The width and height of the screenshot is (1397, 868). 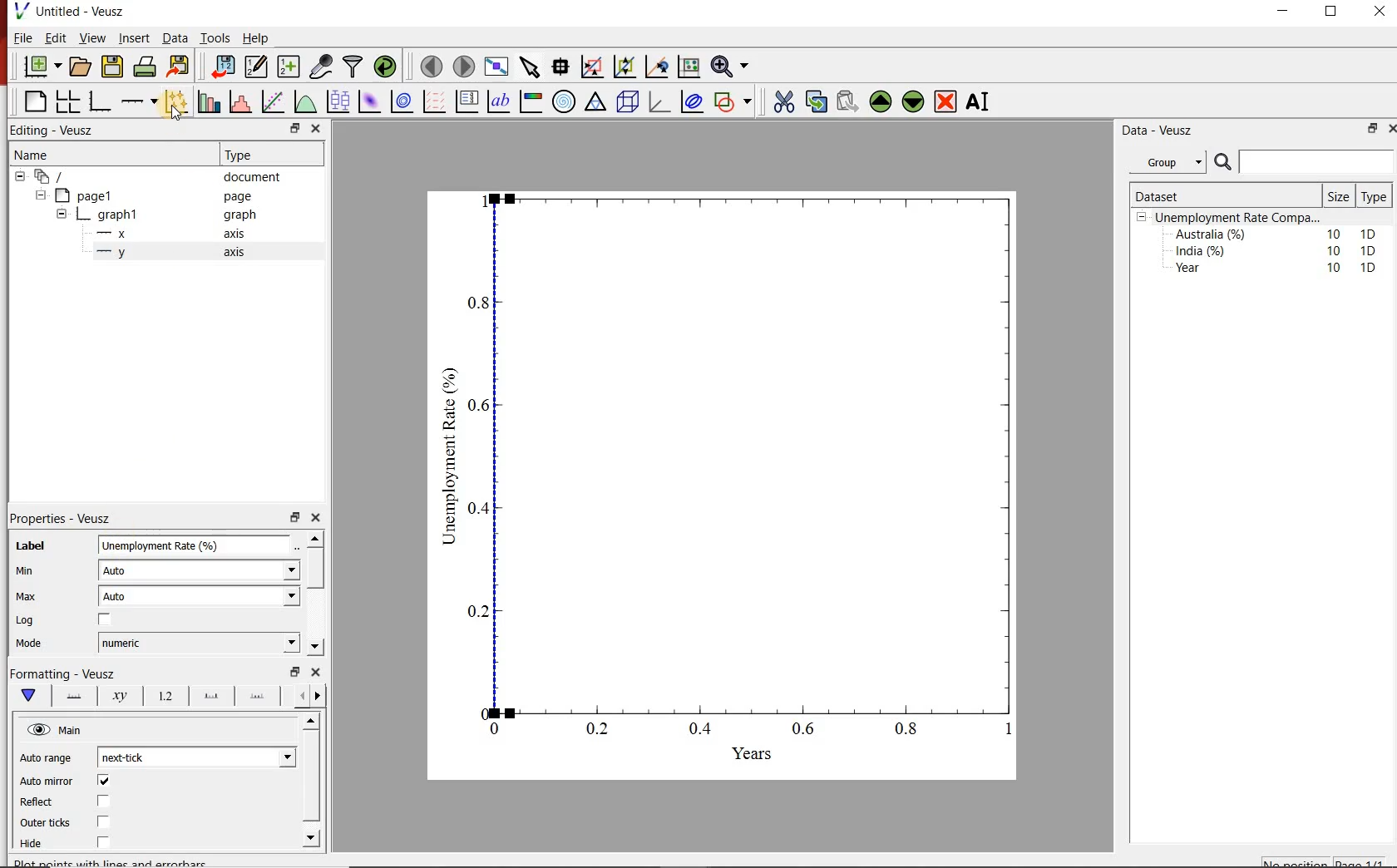 What do you see at coordinates (294, 516) in the screenshot?
I see `minimise` at bounding box center [294, 516].